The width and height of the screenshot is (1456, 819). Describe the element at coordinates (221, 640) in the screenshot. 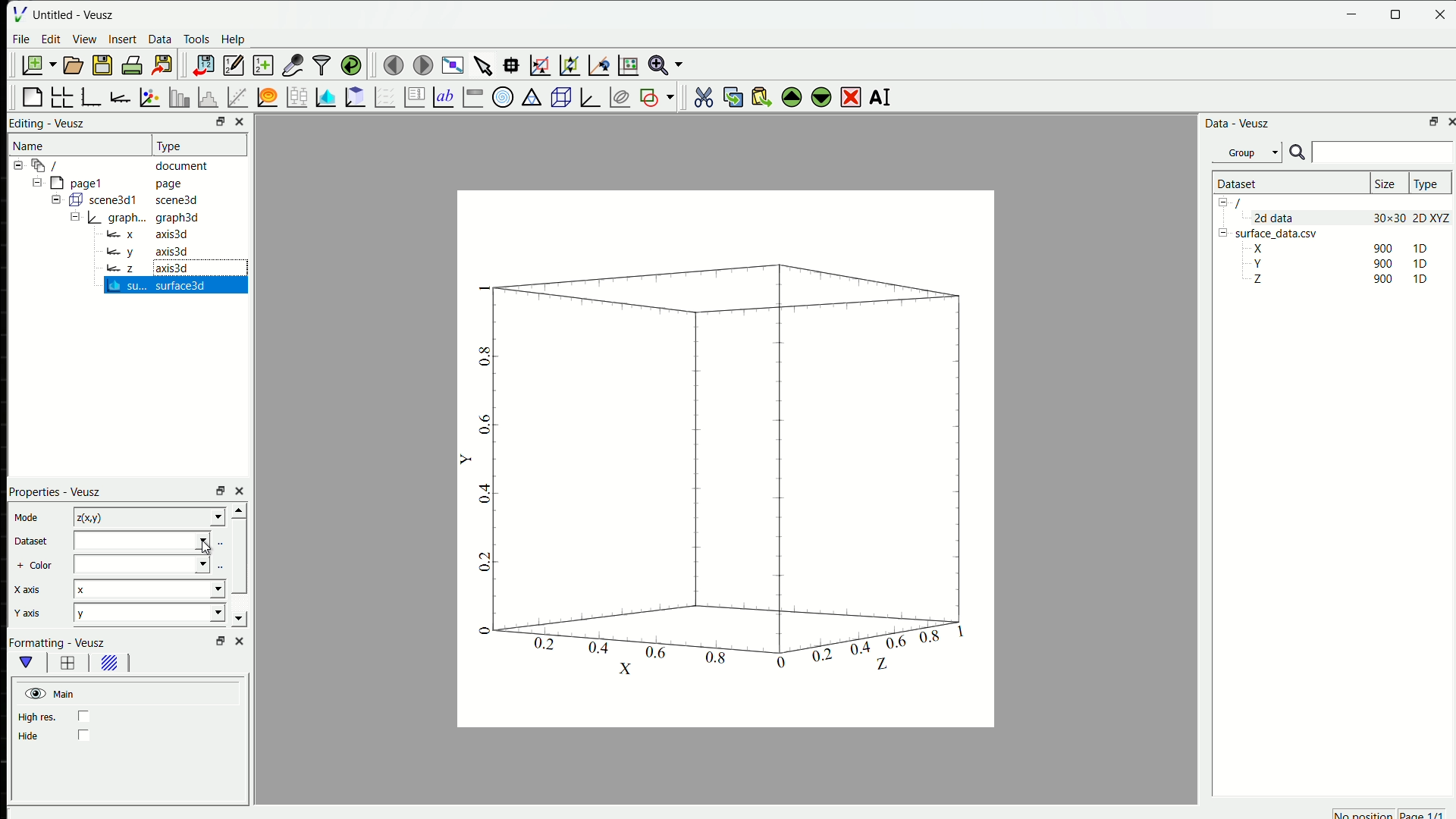

I see `open in separate window` at that location.